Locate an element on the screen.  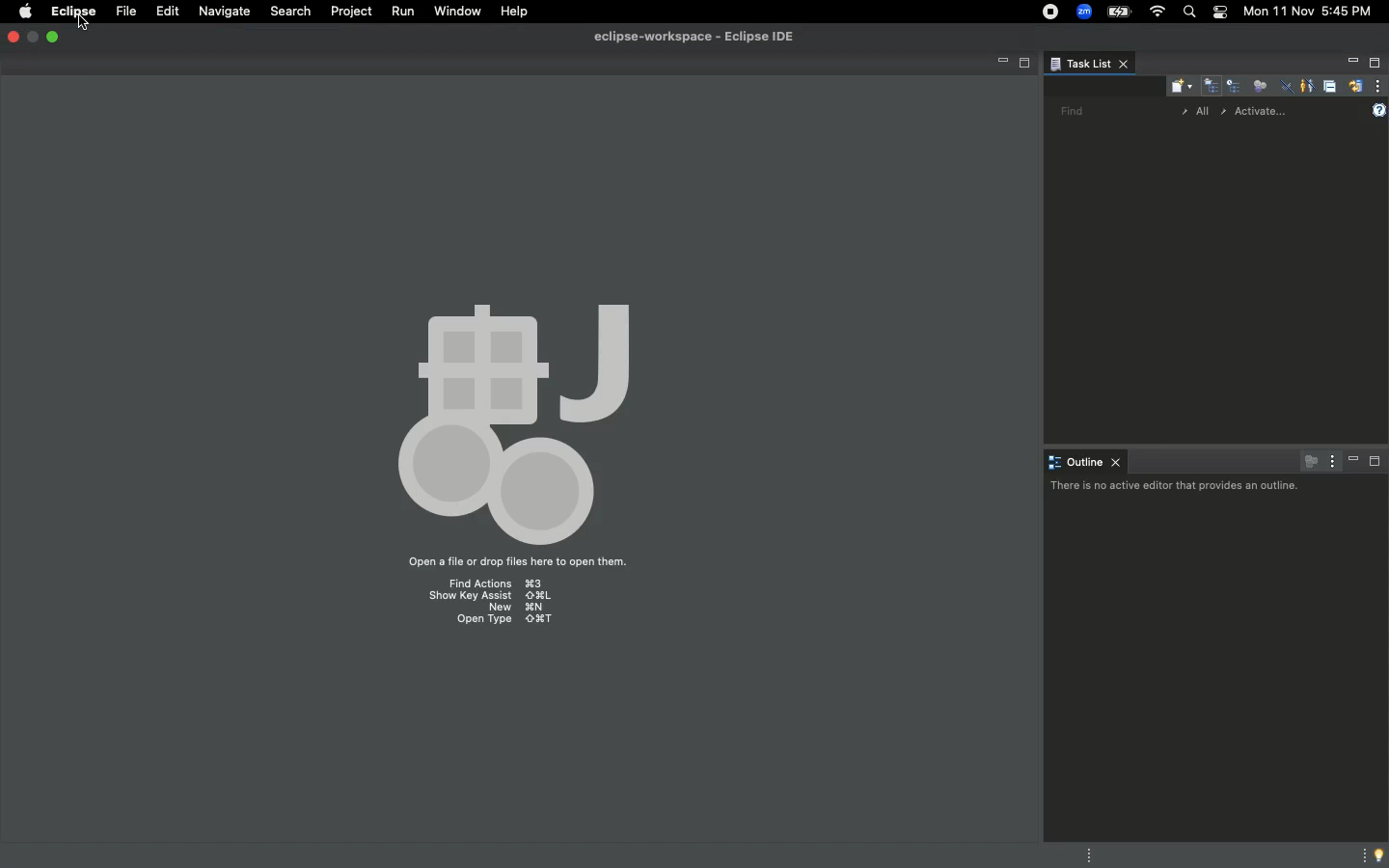
Scheduled is located at coordinates (1233, 85).